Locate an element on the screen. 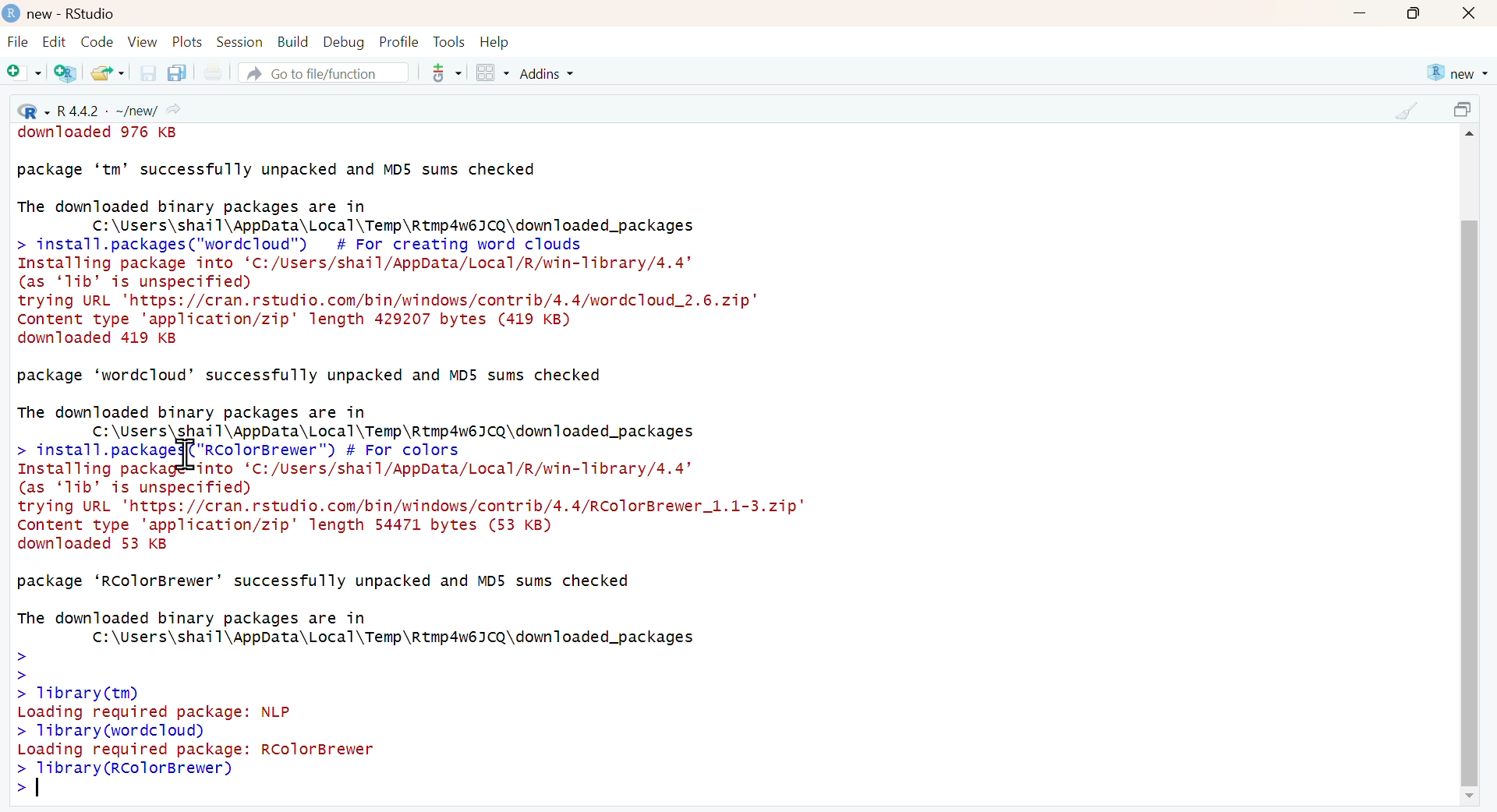  maximize is located at coordinates (1417, 13).